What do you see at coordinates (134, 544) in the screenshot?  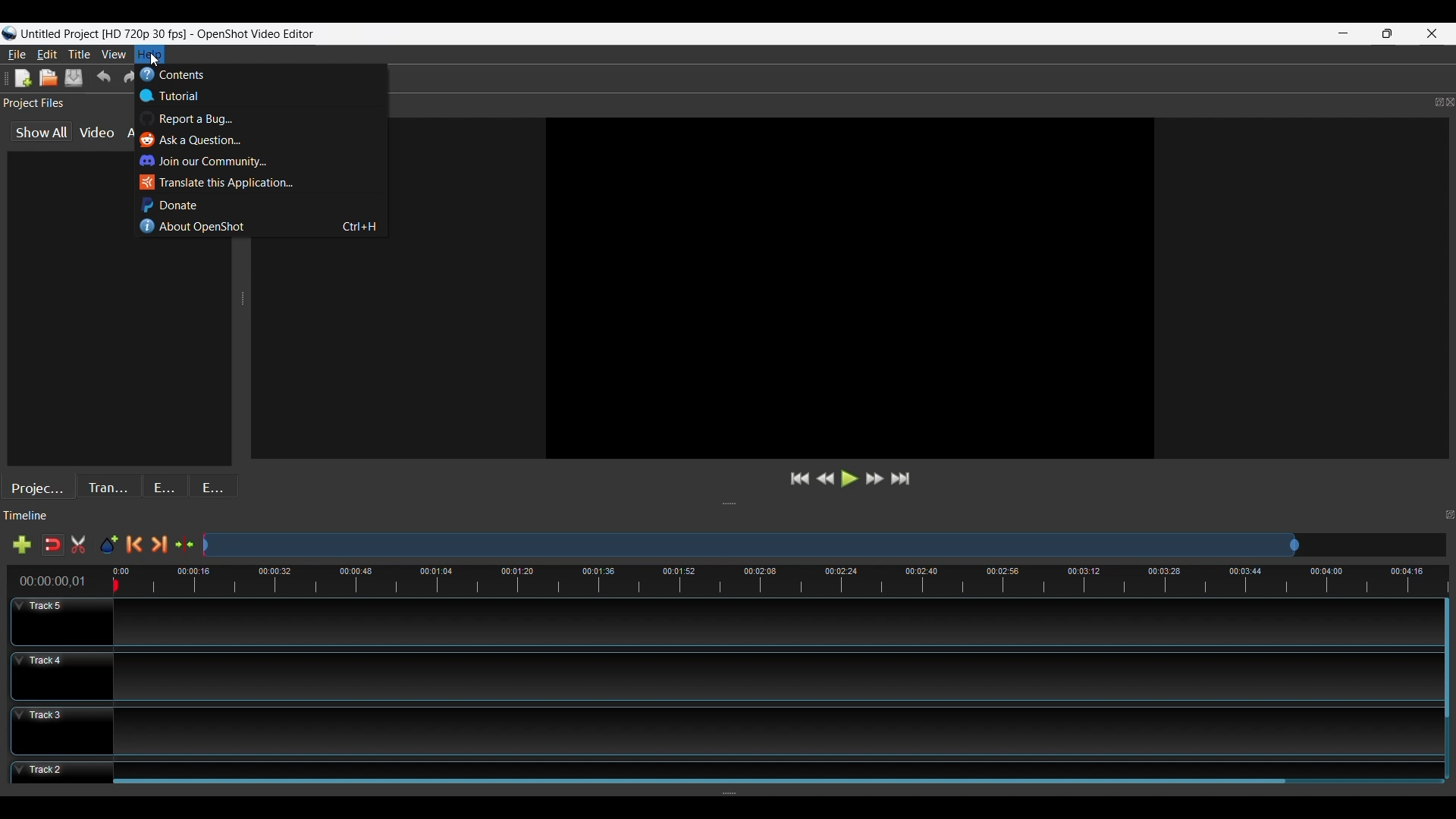 I see `Previous Marker` at bounding box center [134, 544].